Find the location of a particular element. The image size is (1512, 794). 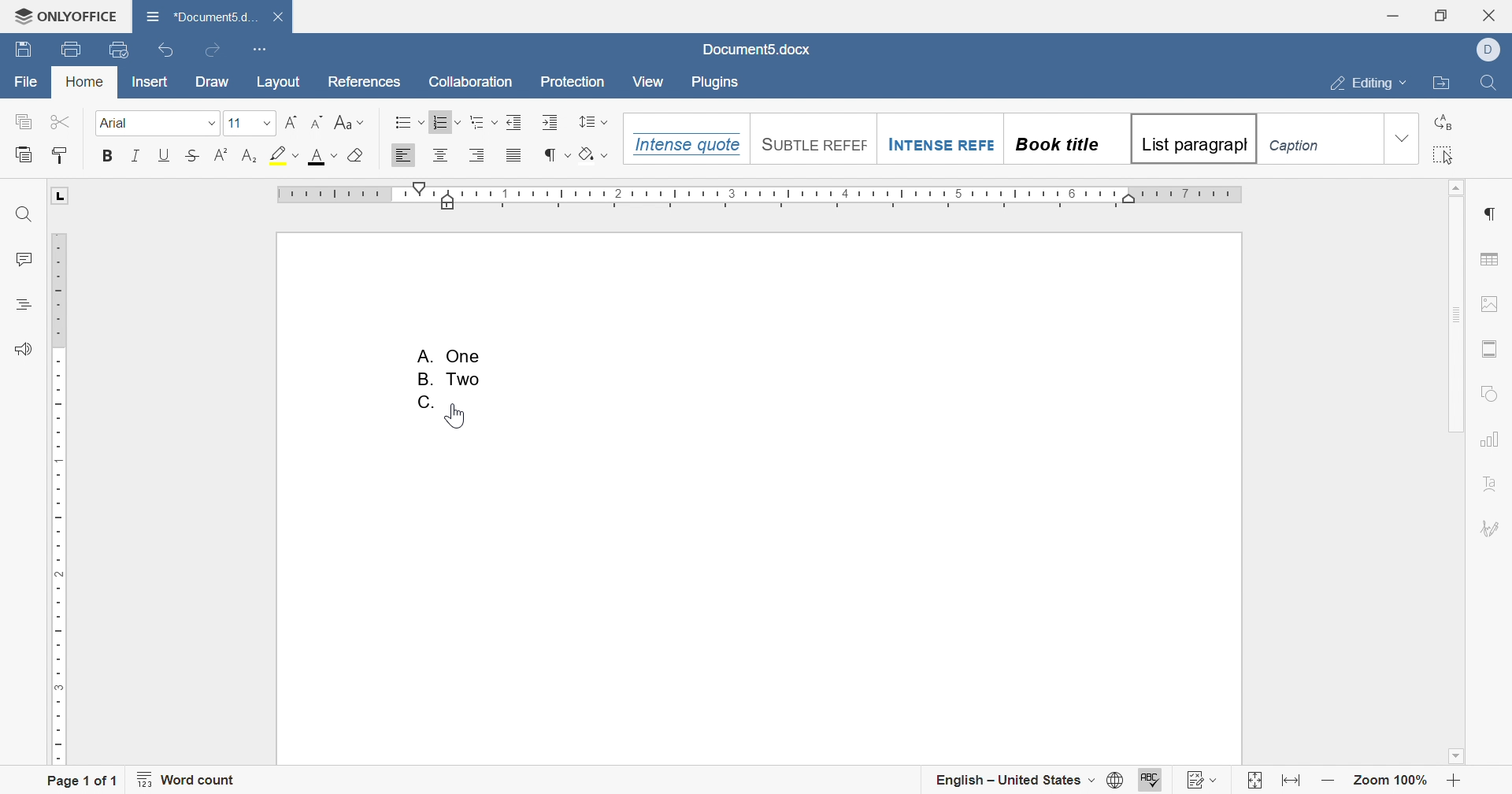

font size is located at coordinates (234, 123).